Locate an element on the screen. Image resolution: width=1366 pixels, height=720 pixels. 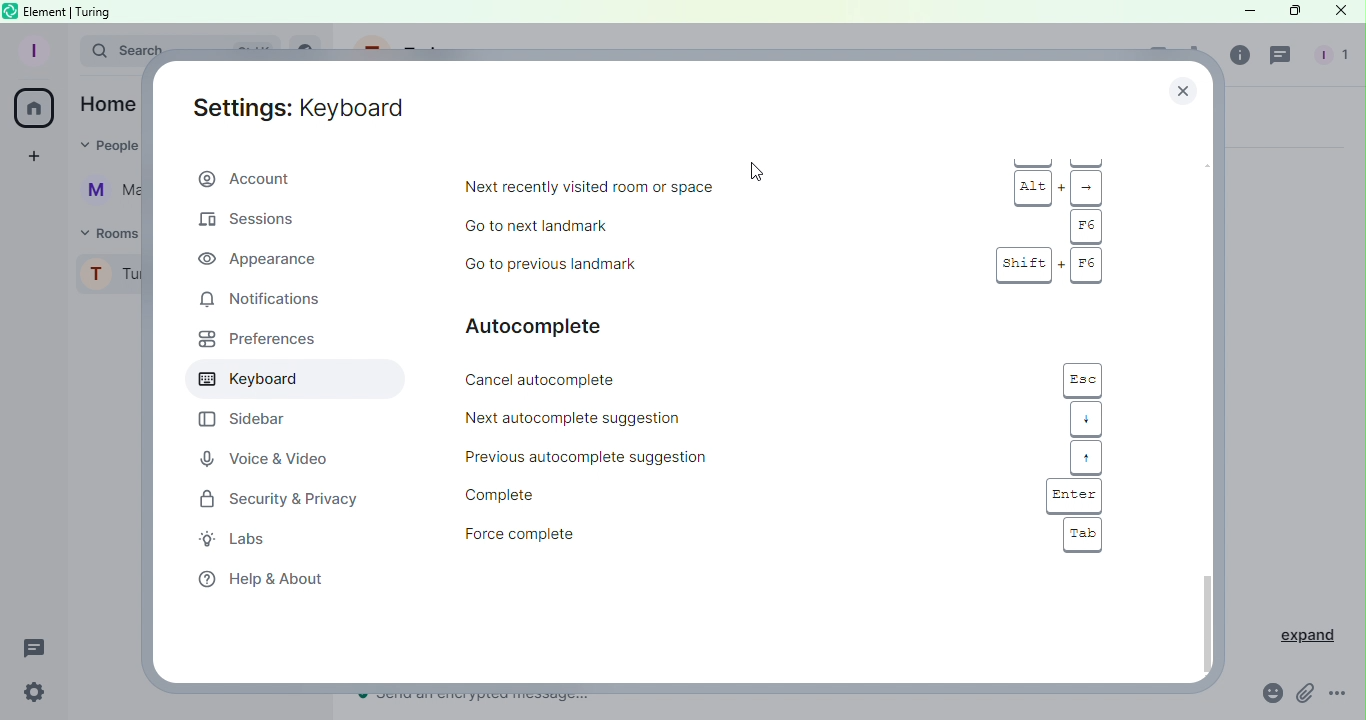
Appearnace is located at coordinates (262, 259).